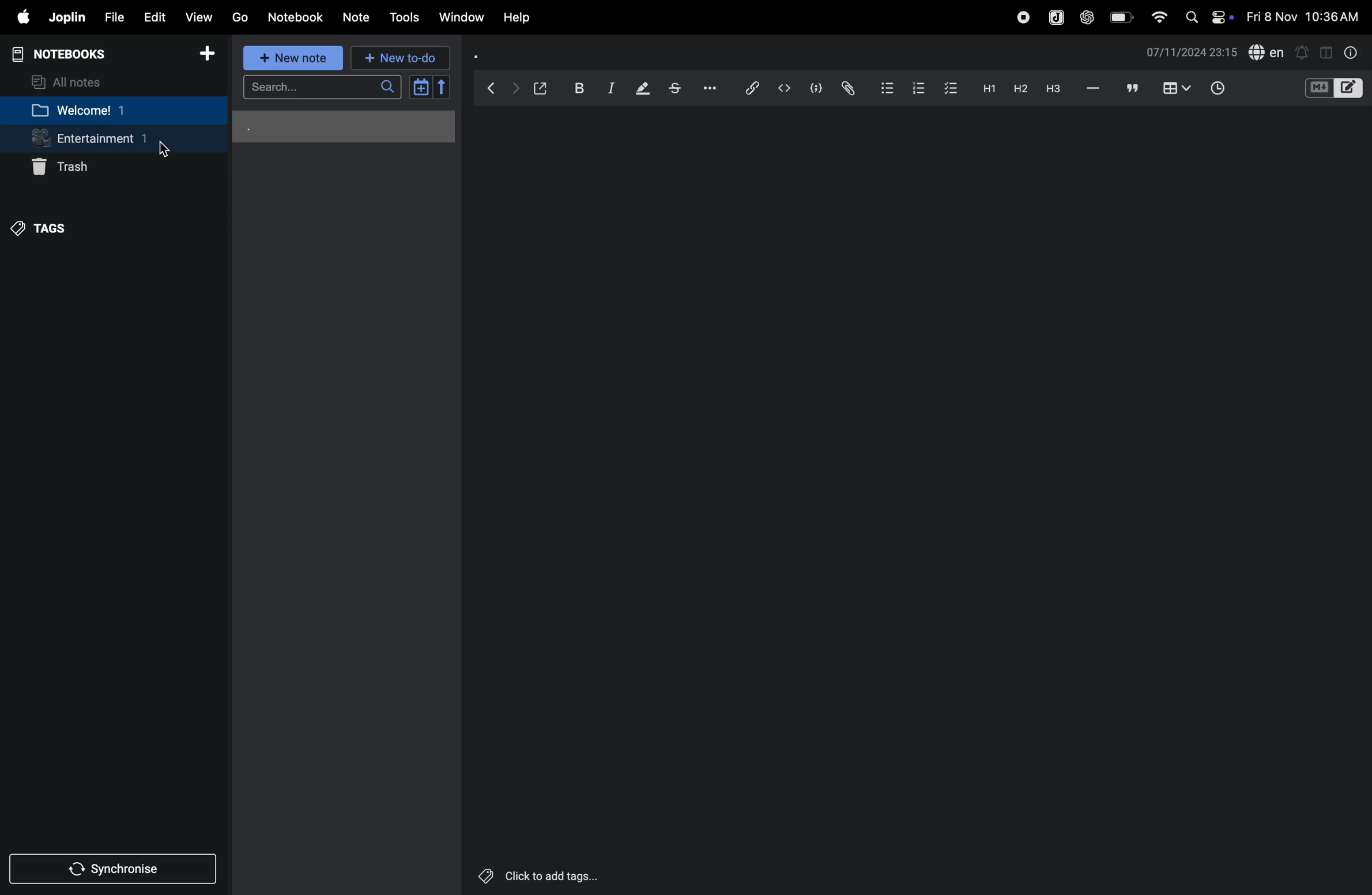 This screenshot has height=895, width=1372. Describe the element at coordinates (82, 169) in the screenshot. I see `trash` at that location.